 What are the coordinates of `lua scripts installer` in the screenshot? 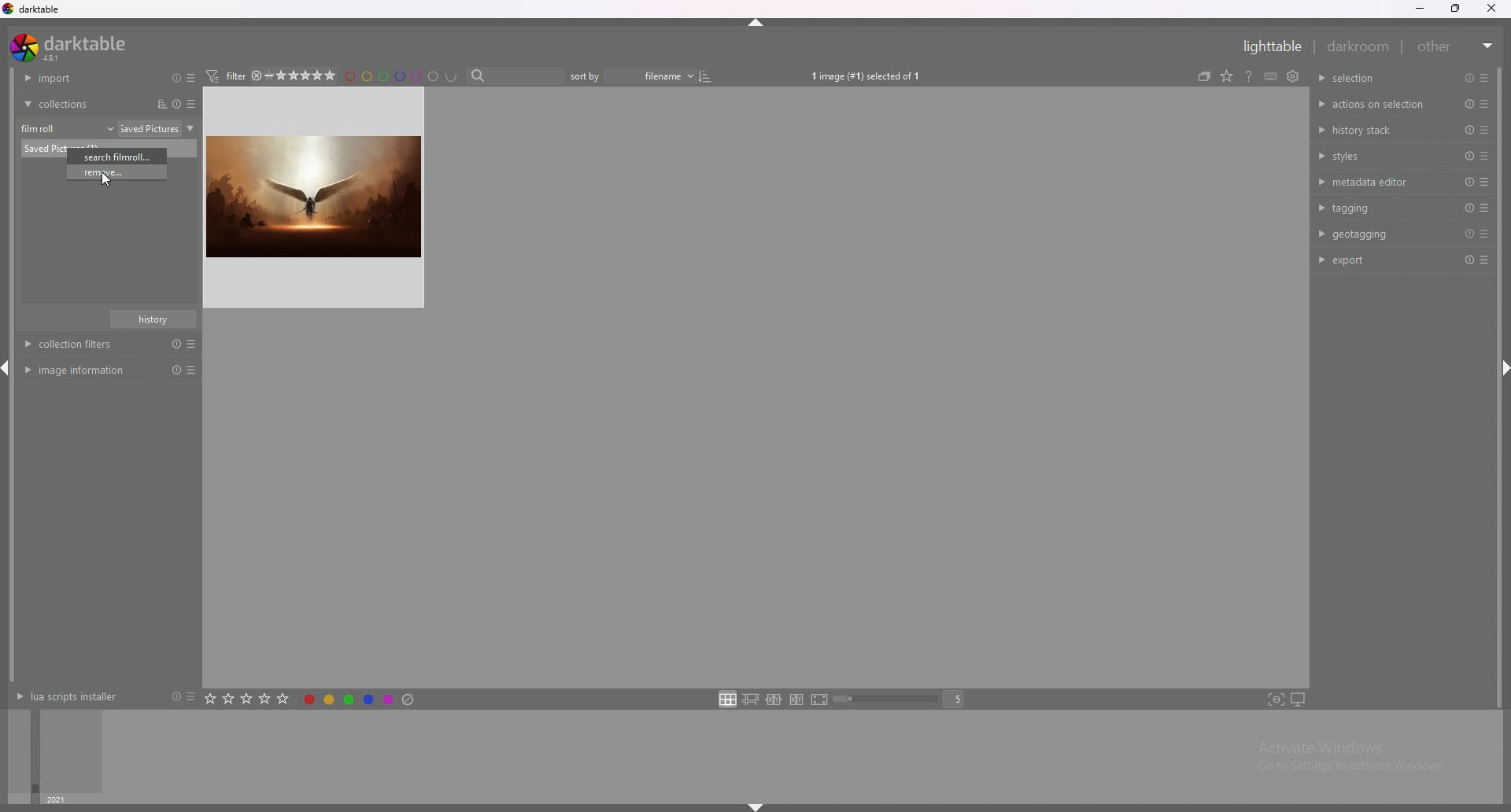 It's located at (65, 696).